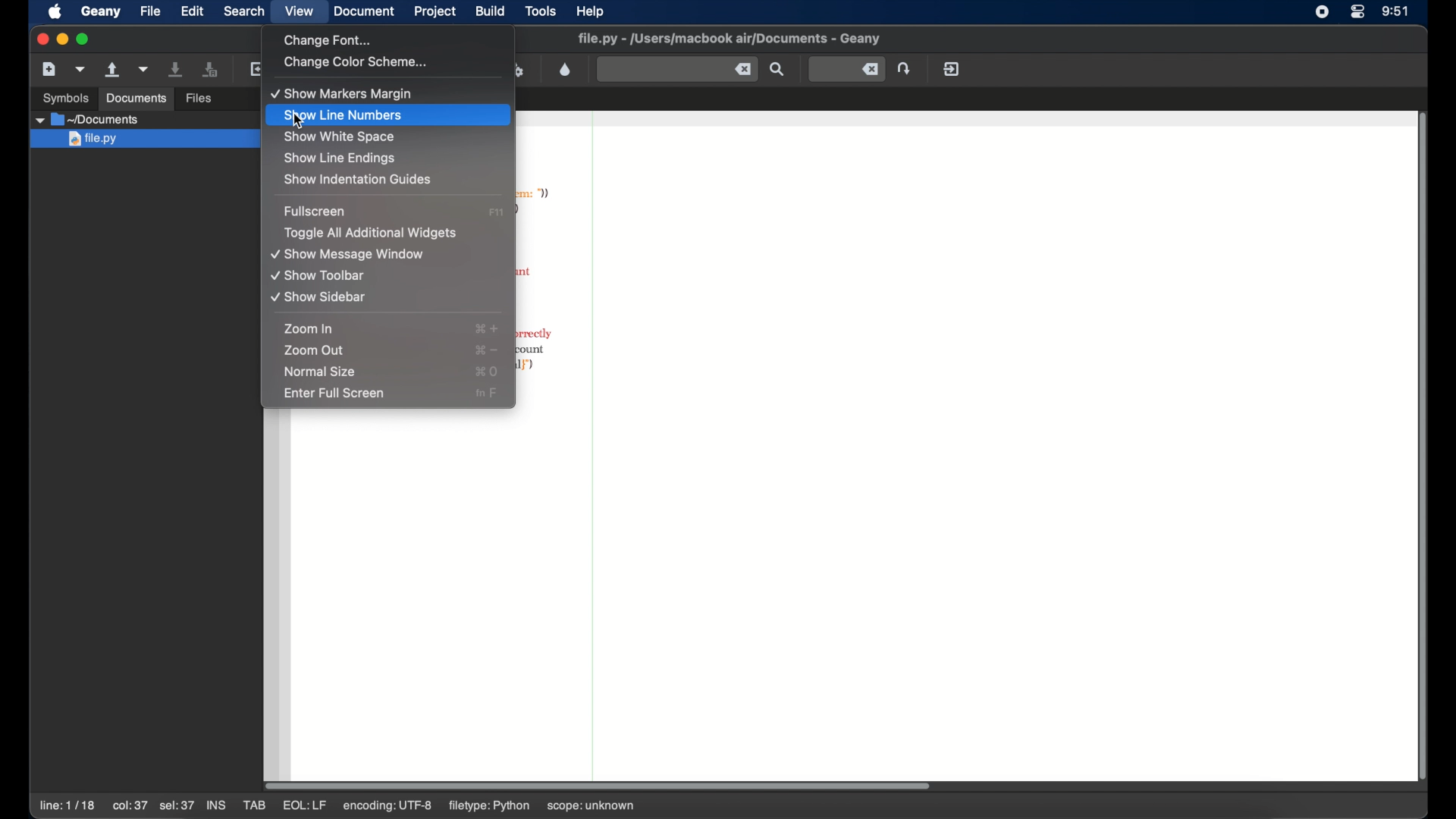  I want to click on col:37, so click(130, 805).